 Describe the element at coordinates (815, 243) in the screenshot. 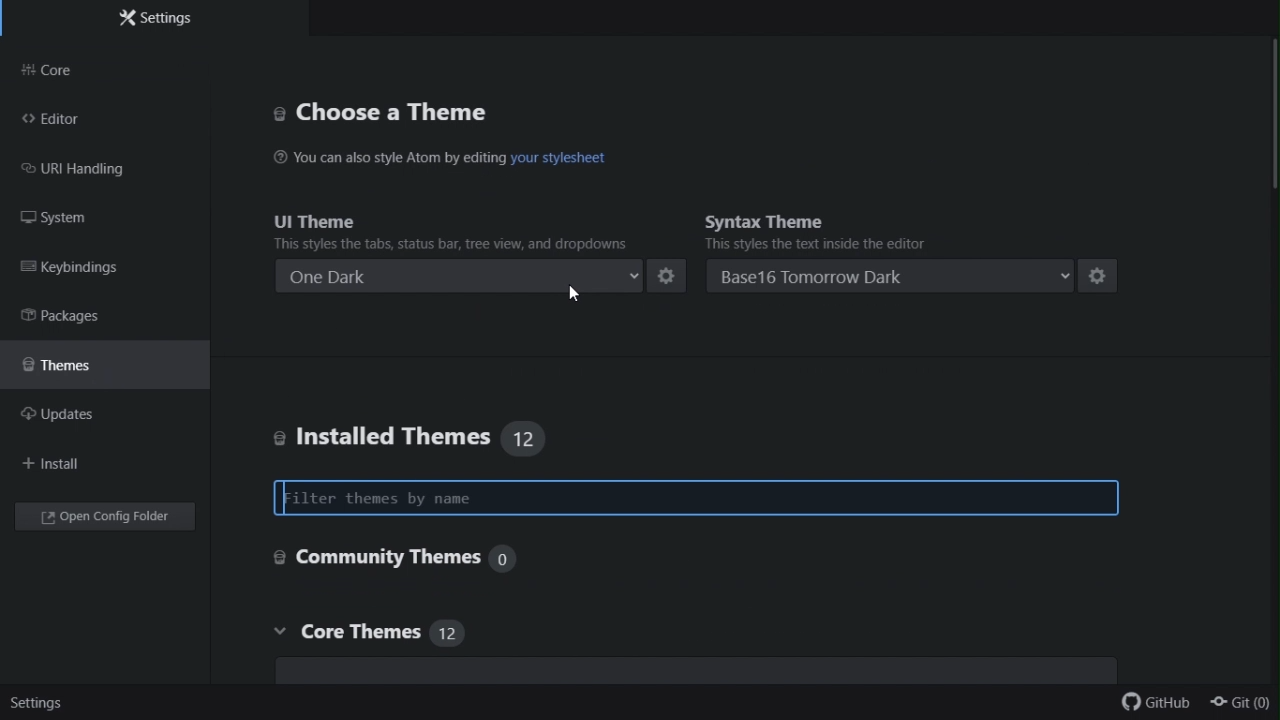

I see `This styles the text inside the editor` at that location.